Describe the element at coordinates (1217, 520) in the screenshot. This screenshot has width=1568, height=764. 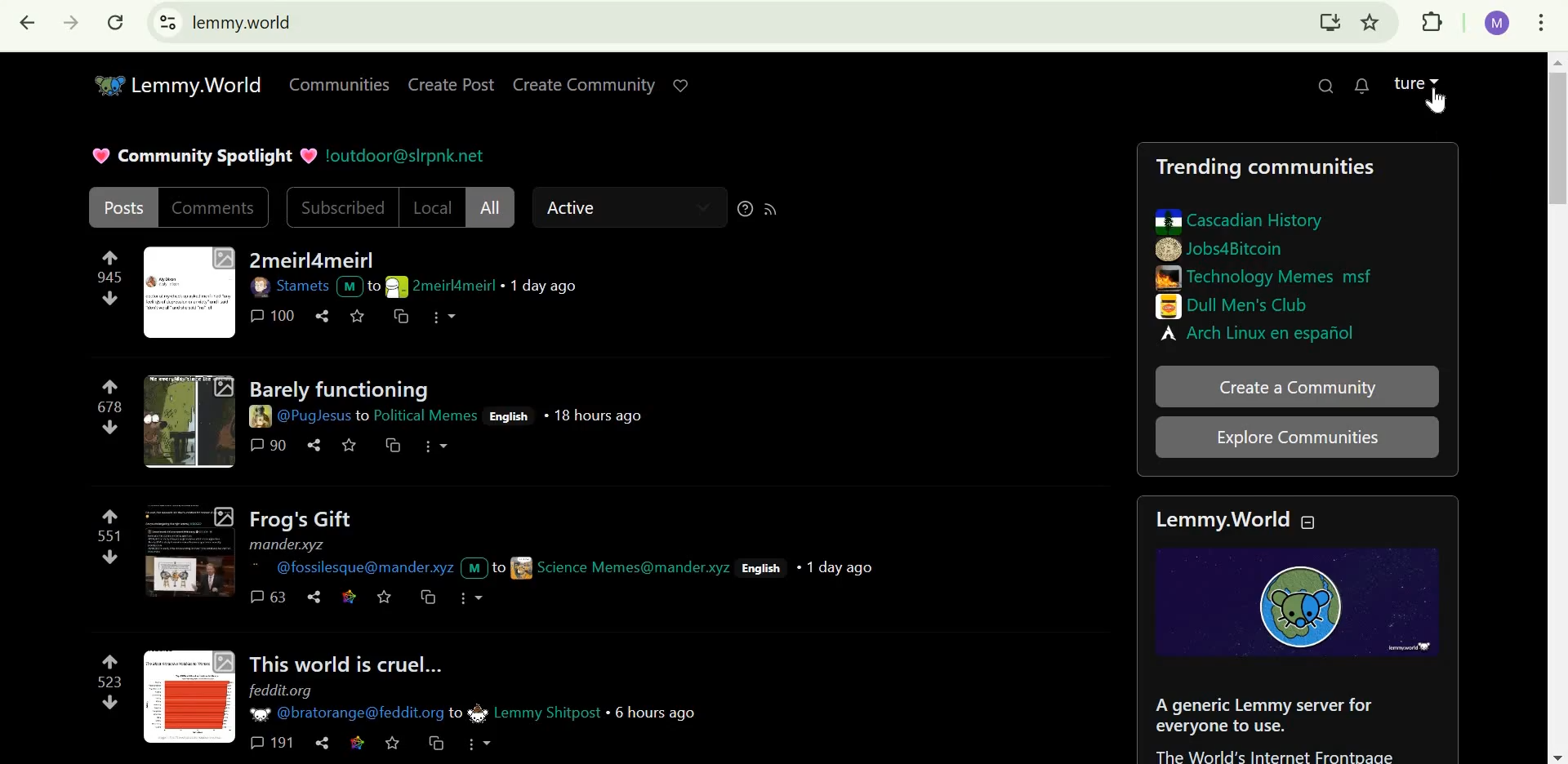
I see `Lemmy.World` at that location.